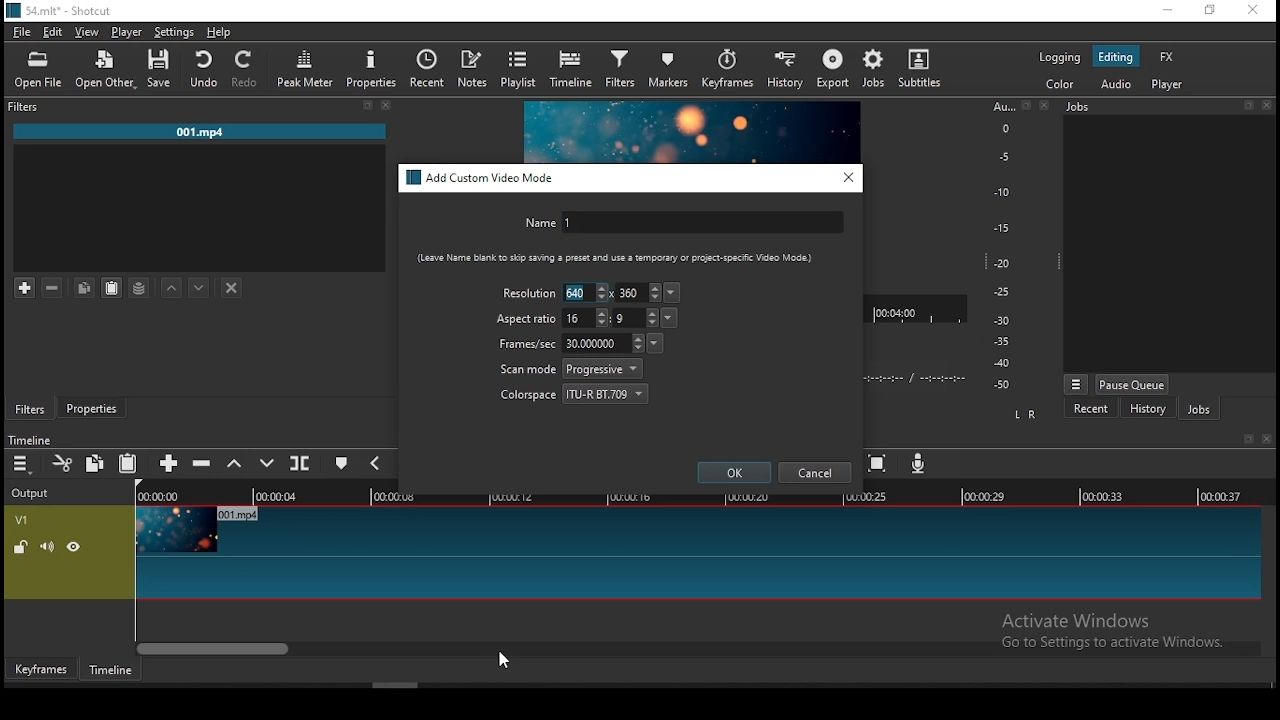 This screenshot has width=1280, height=720. What do you see at coordinates (219, 32) in the screenshot?
I see `help` at bounding box center [219, 32].